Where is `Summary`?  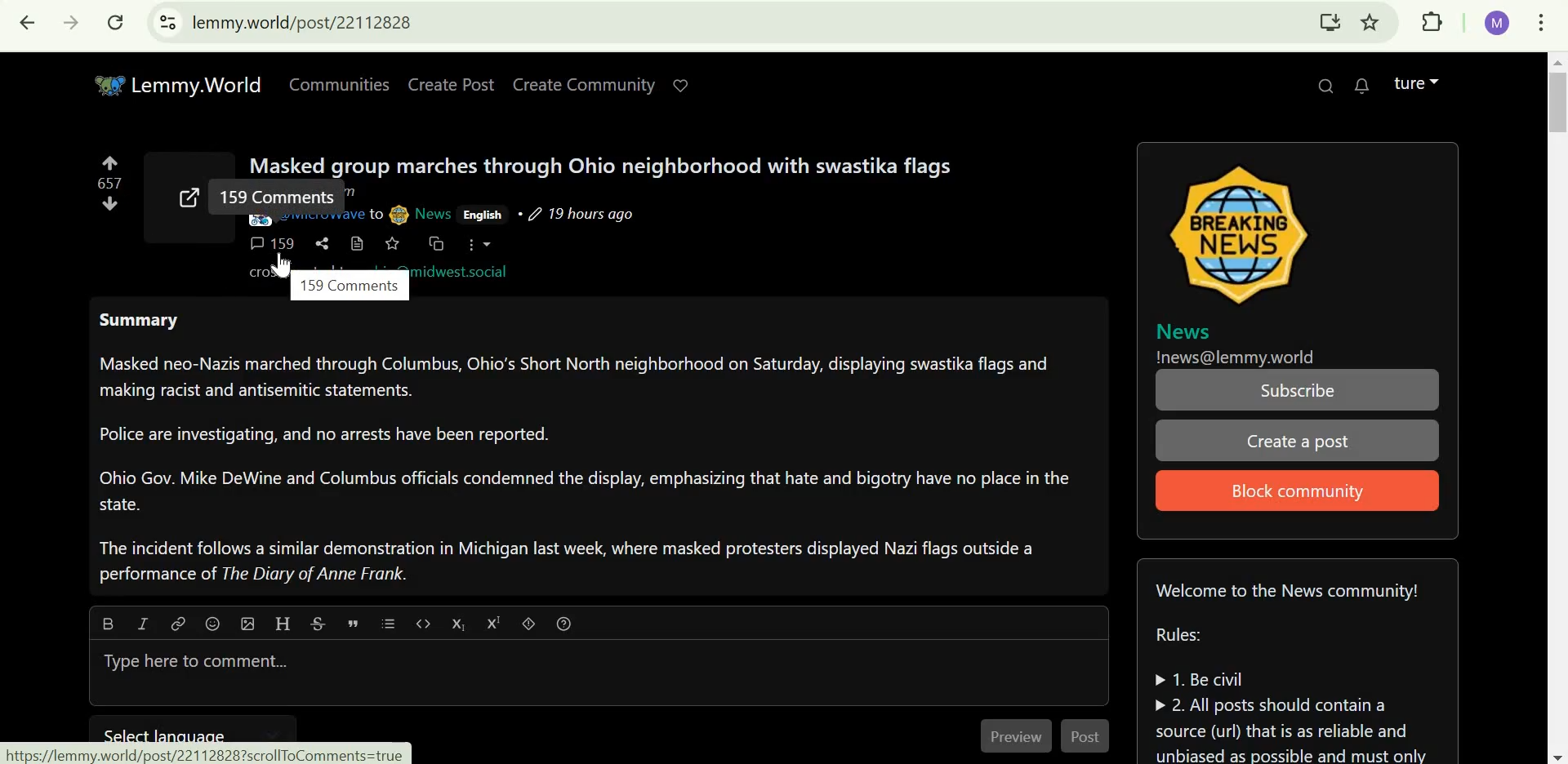 Summary is located at coordinates (589, 453).